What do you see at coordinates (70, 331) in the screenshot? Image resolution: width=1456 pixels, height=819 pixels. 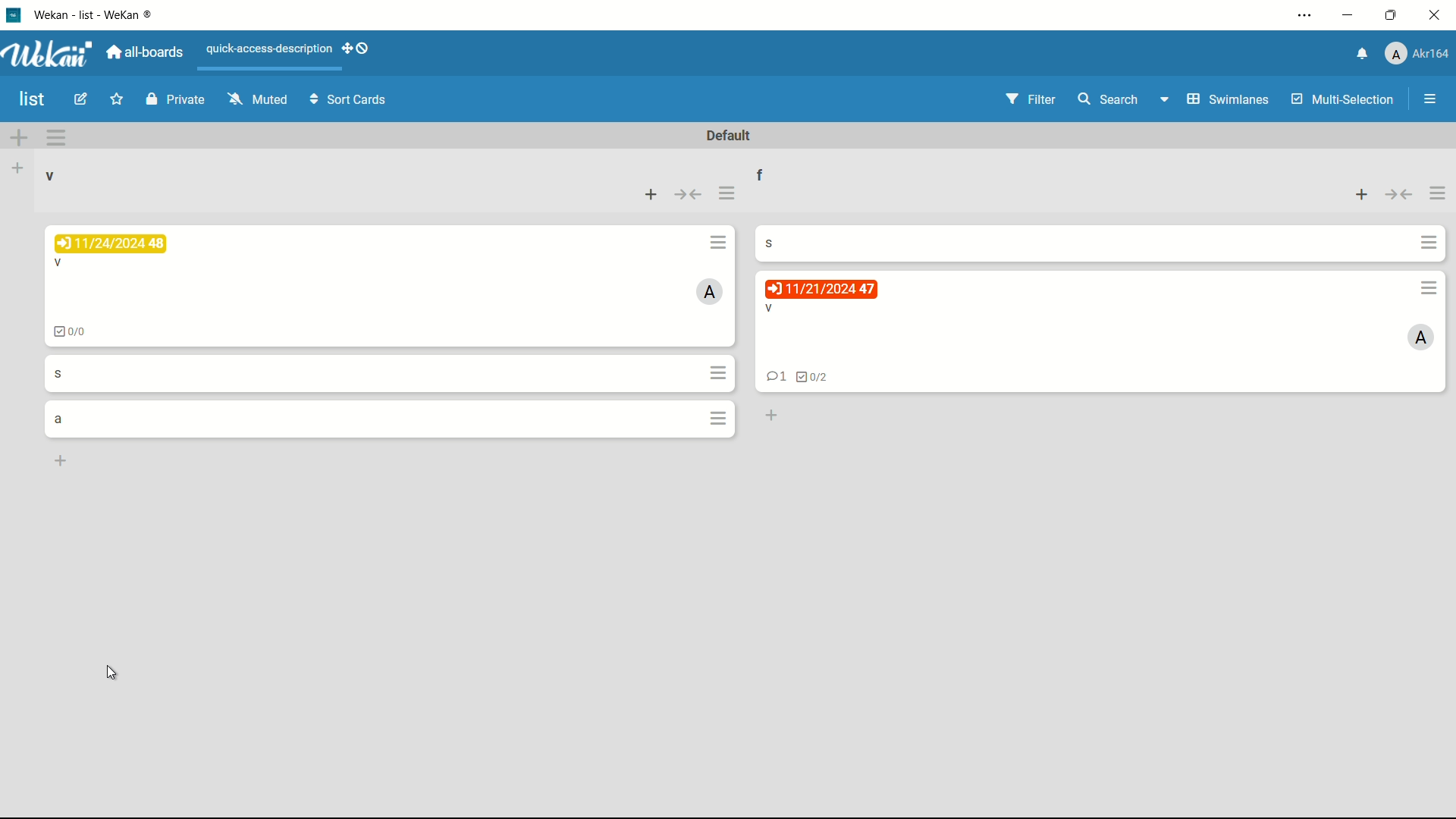 I see `checklist` at bounding box center [70, 331].